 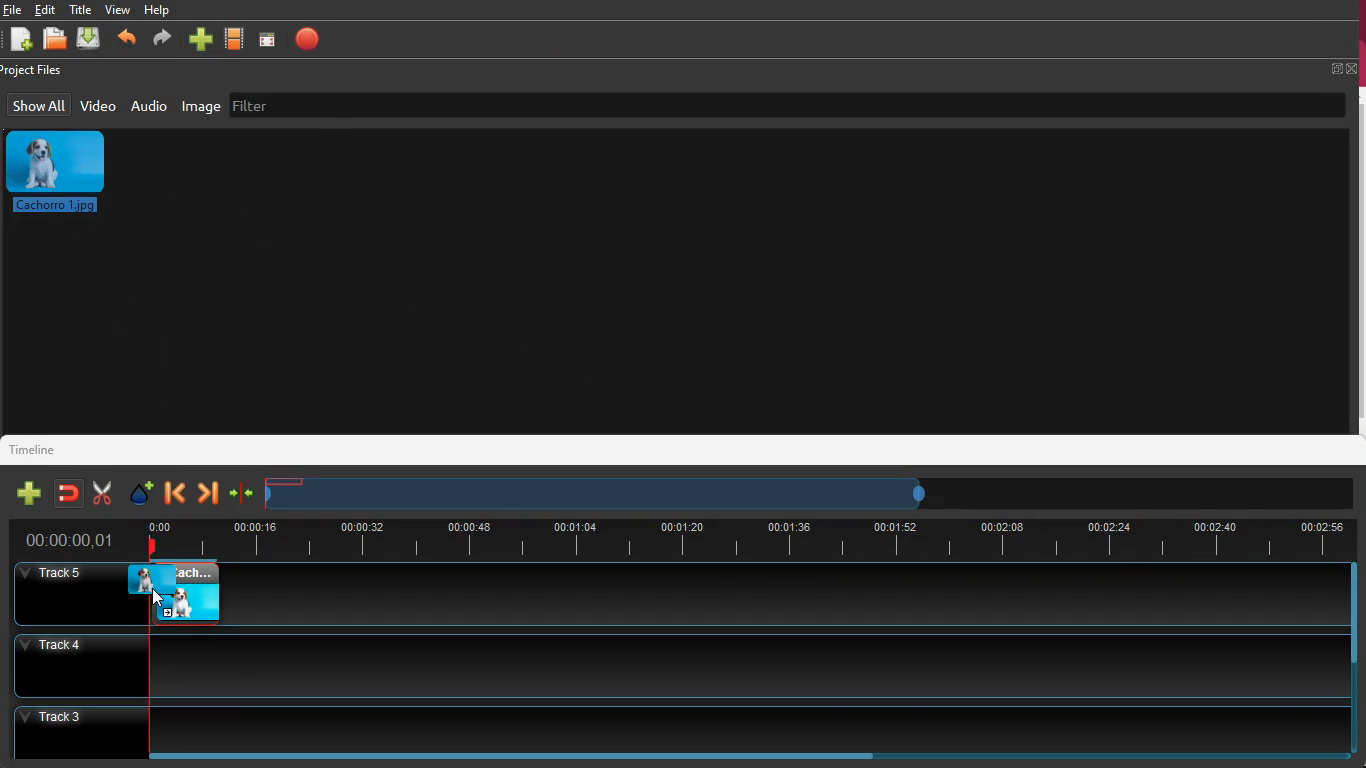 I want to click on image, so click(x=60, y=174).